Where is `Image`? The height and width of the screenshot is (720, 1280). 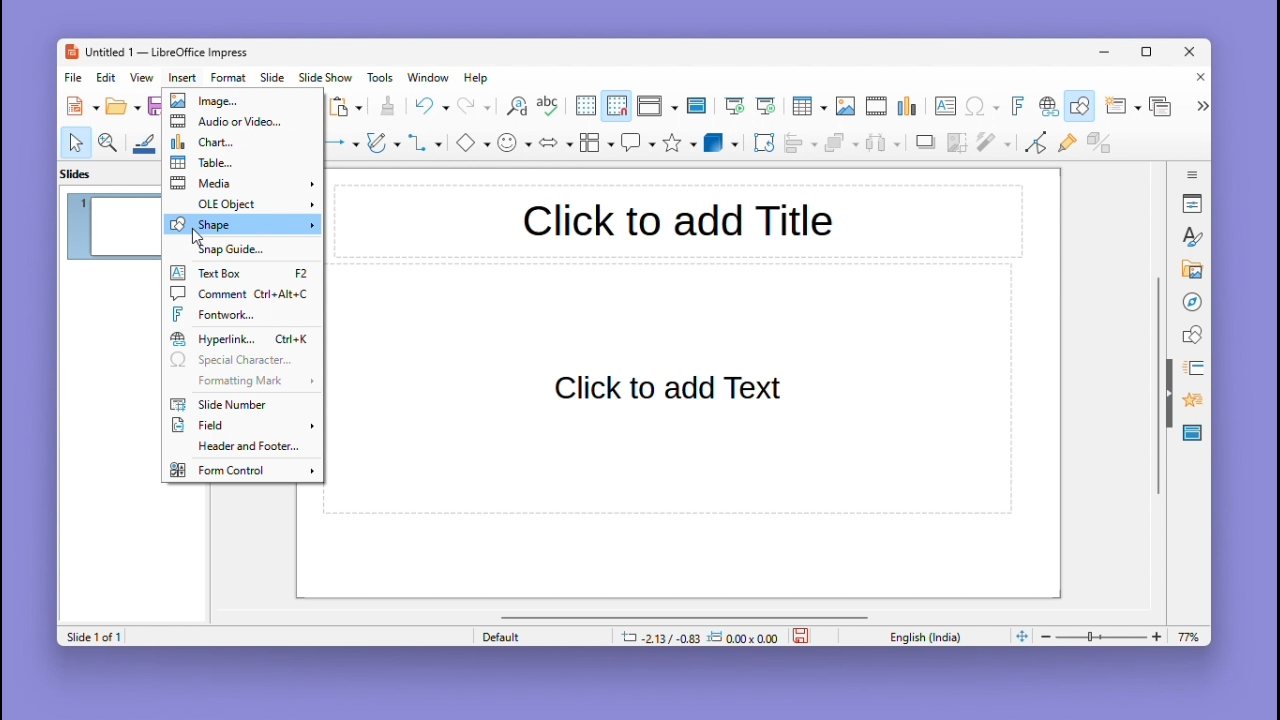 Image is located at coordinates (240, 101).